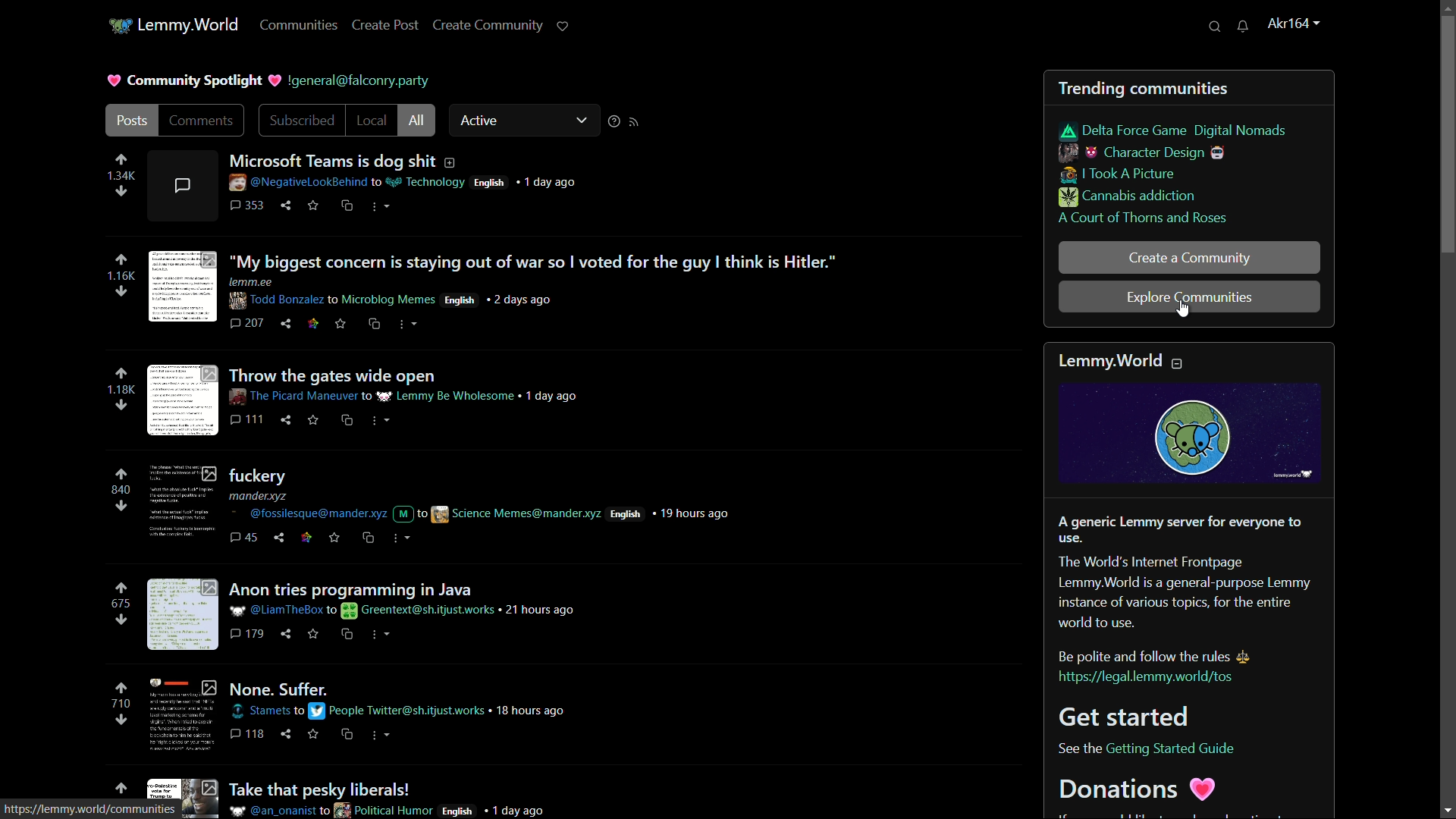 This screenshot has height=819, width=1456. What do you see at coordinates (121, 490) in the screenshot?
I see `number of votes` at bounding box center [121, 490].